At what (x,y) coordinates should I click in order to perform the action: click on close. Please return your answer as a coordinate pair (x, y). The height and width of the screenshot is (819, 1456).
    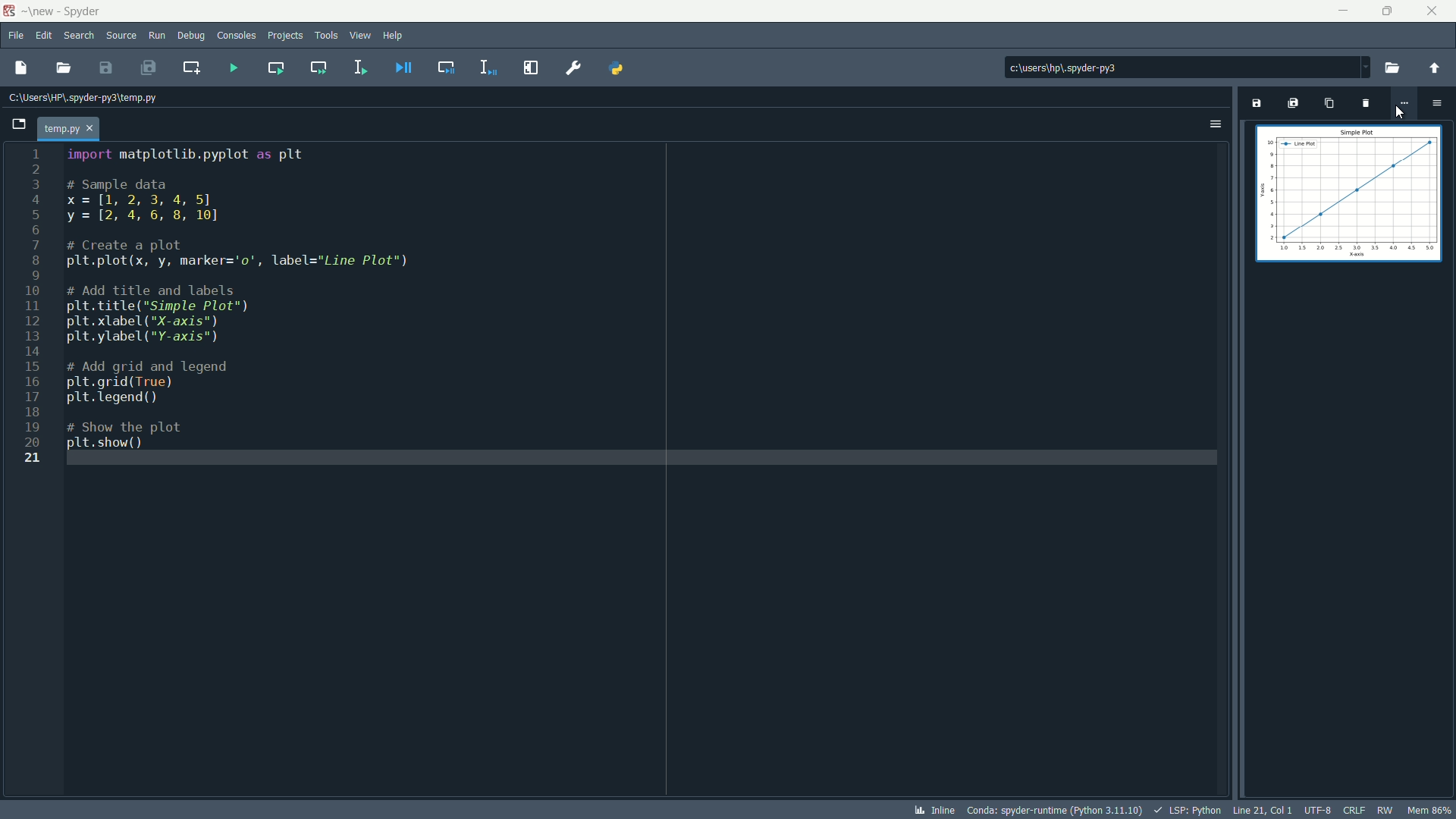
    Looking at the image, I should click on (1433, 10).